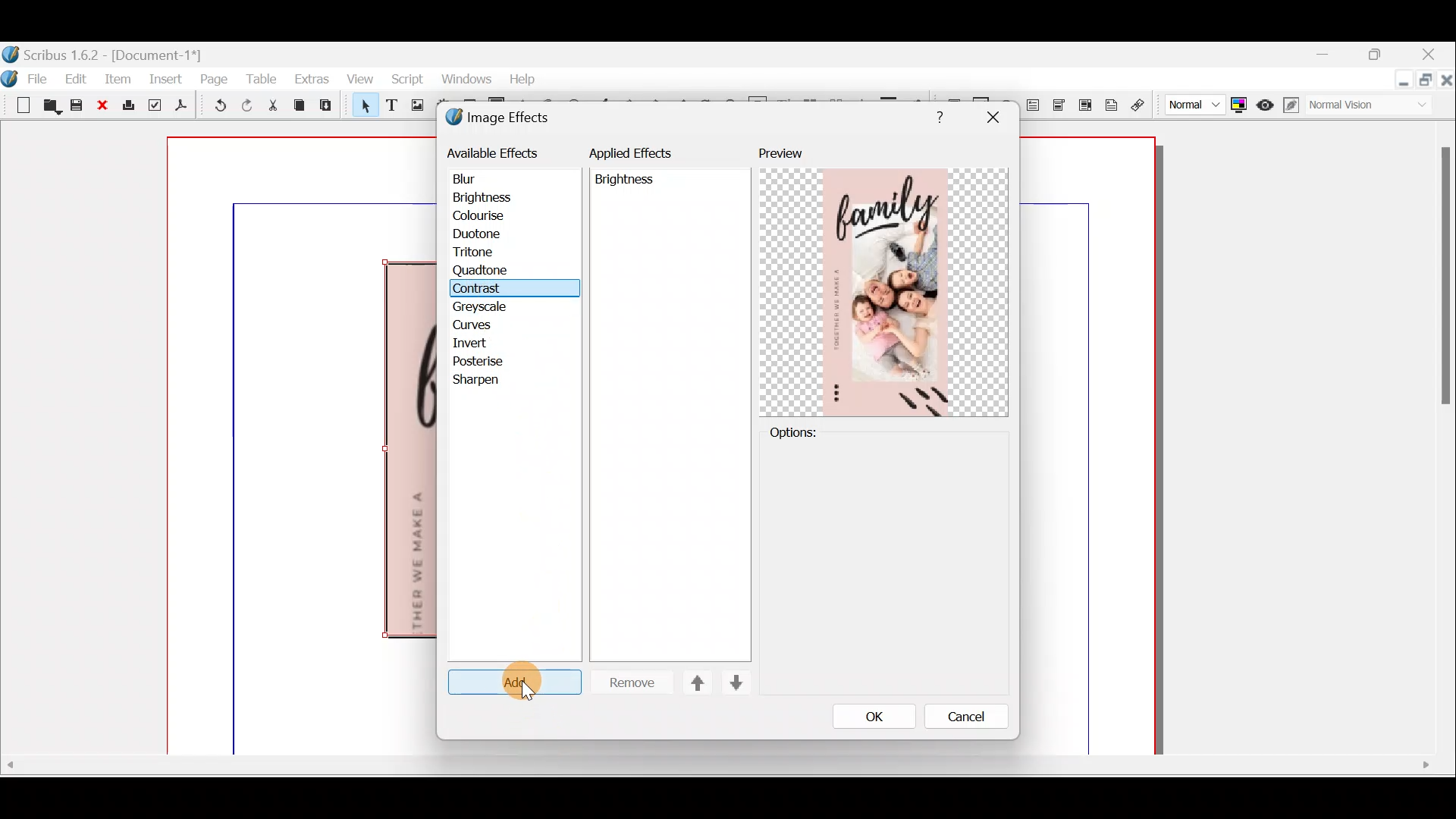 Image resolution: width=1456 pixels, height=819 pixels. I want to click on File, so click(40, 77).